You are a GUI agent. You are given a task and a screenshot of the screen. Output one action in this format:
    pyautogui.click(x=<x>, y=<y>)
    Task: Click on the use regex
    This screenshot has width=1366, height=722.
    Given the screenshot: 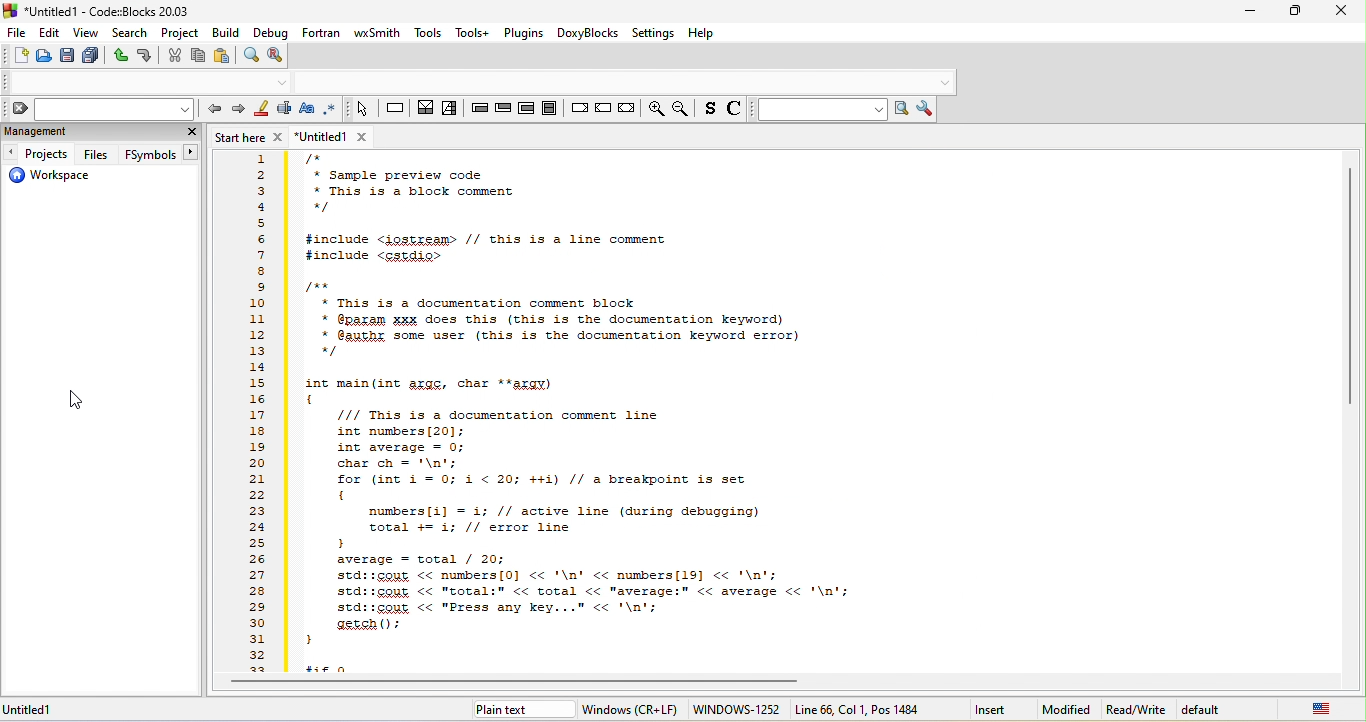 What is the action you would take?
    pyautogui.click(x=332, y=109)
    